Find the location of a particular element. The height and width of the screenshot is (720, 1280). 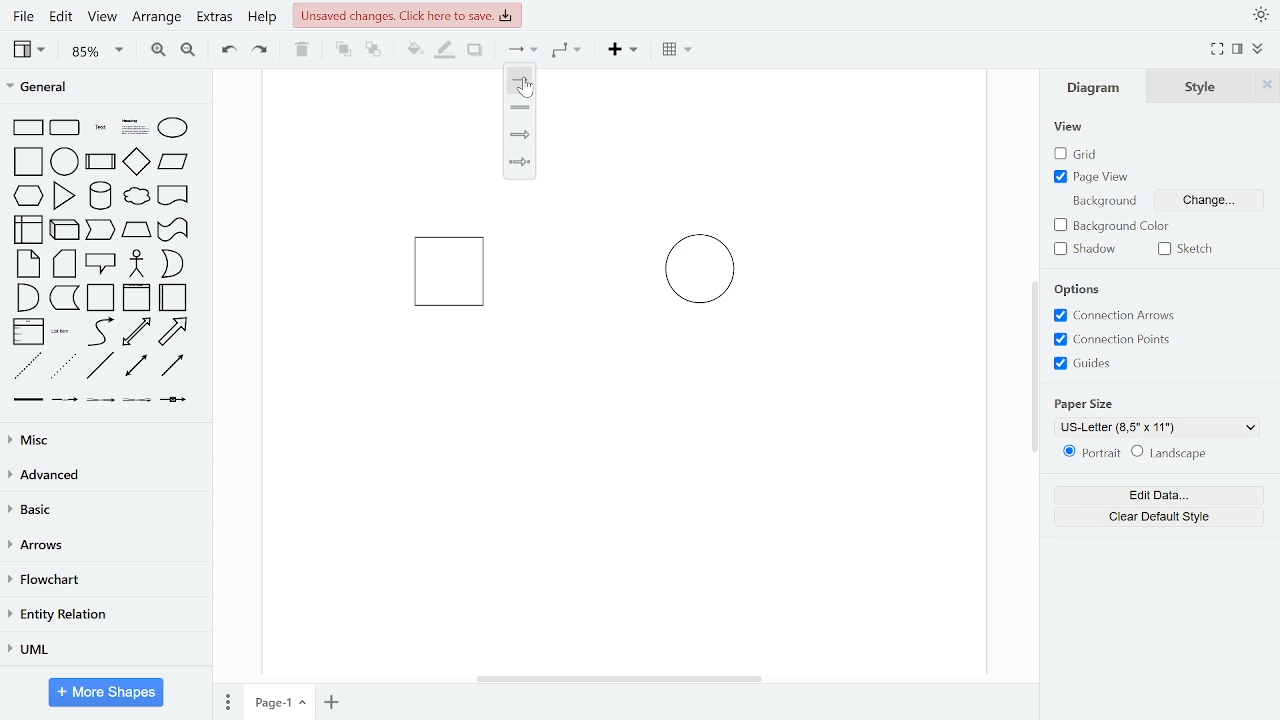

cursor is located at coordinates (528, 91).